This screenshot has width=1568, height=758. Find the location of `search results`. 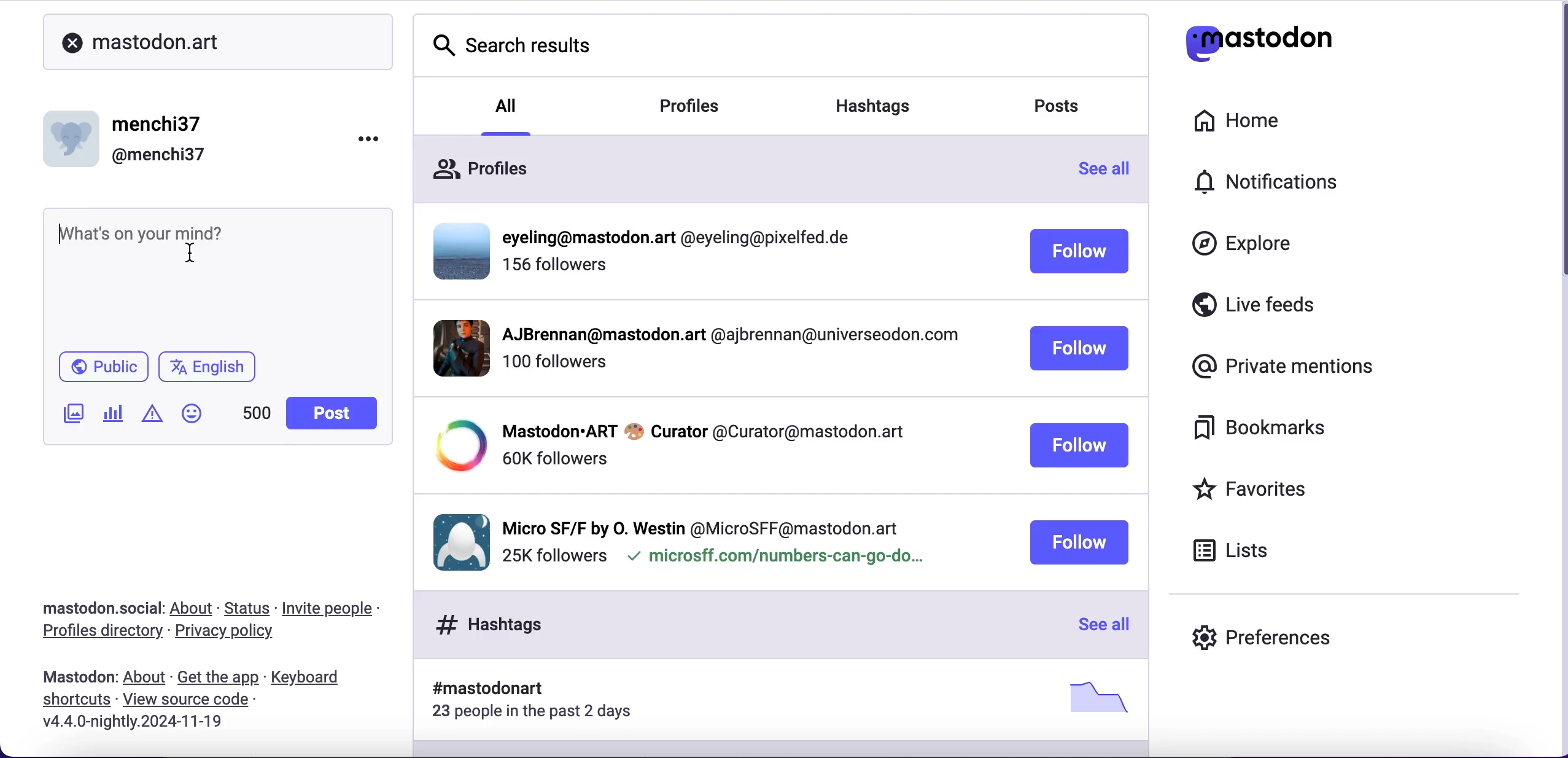

search results is located at coordinates (782, 47).